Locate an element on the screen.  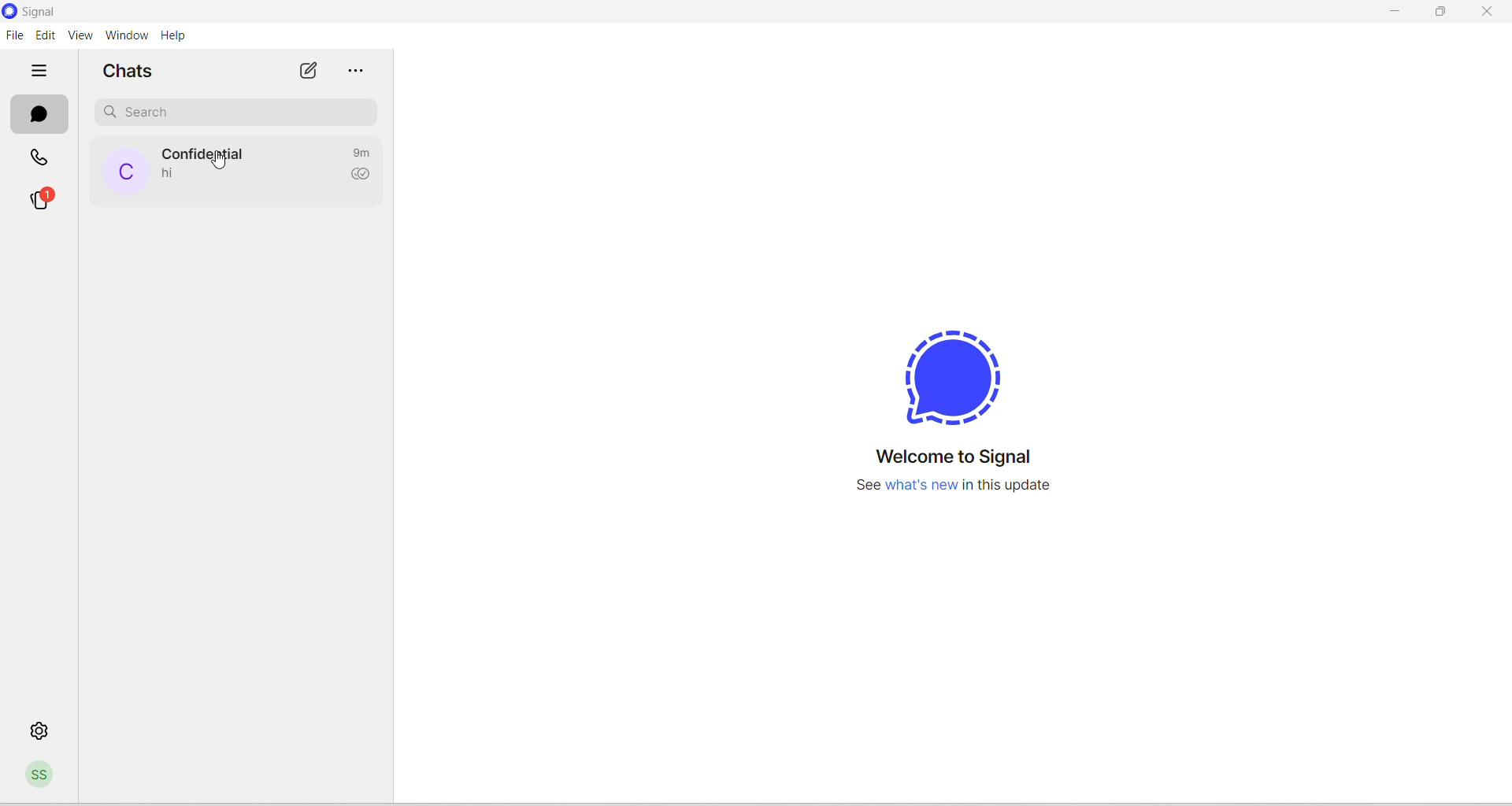
hide tabs is located at coordinates (40, 72).